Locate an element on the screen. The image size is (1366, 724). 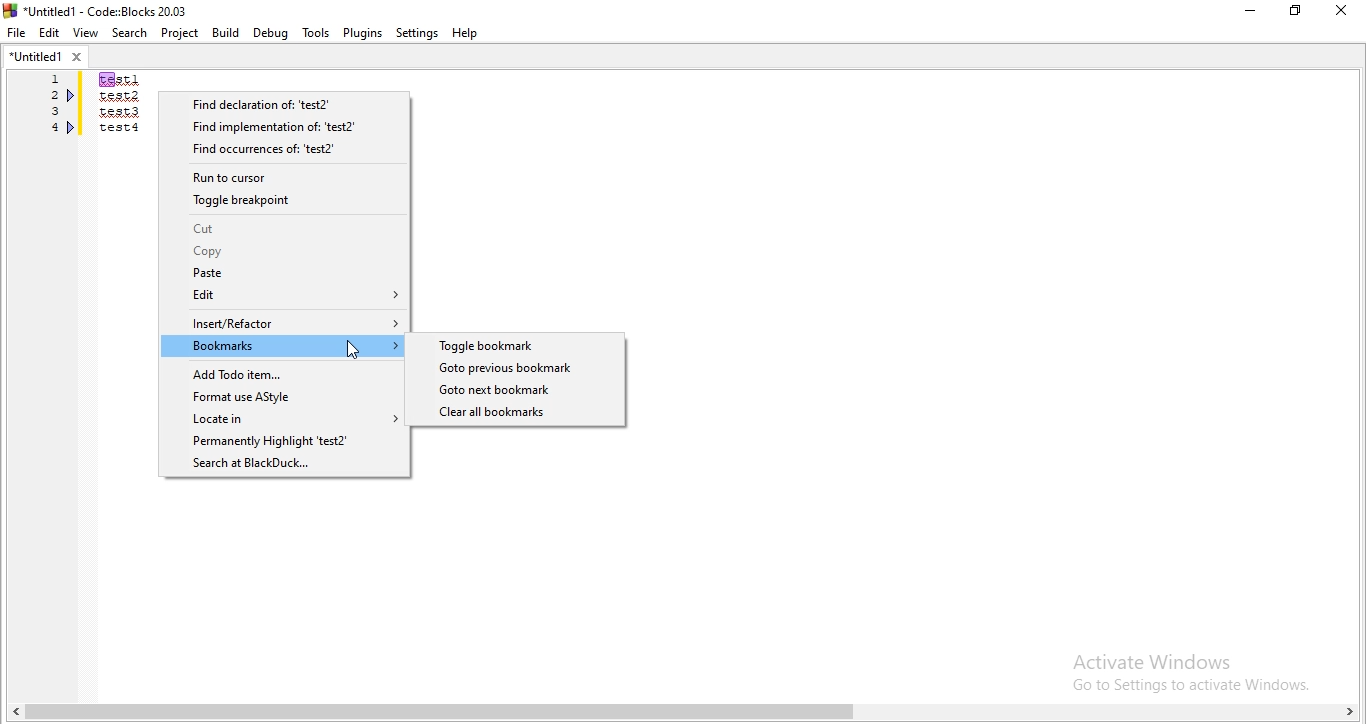
Permanently Highlight 'test2' is located at coordinates (283, 442).